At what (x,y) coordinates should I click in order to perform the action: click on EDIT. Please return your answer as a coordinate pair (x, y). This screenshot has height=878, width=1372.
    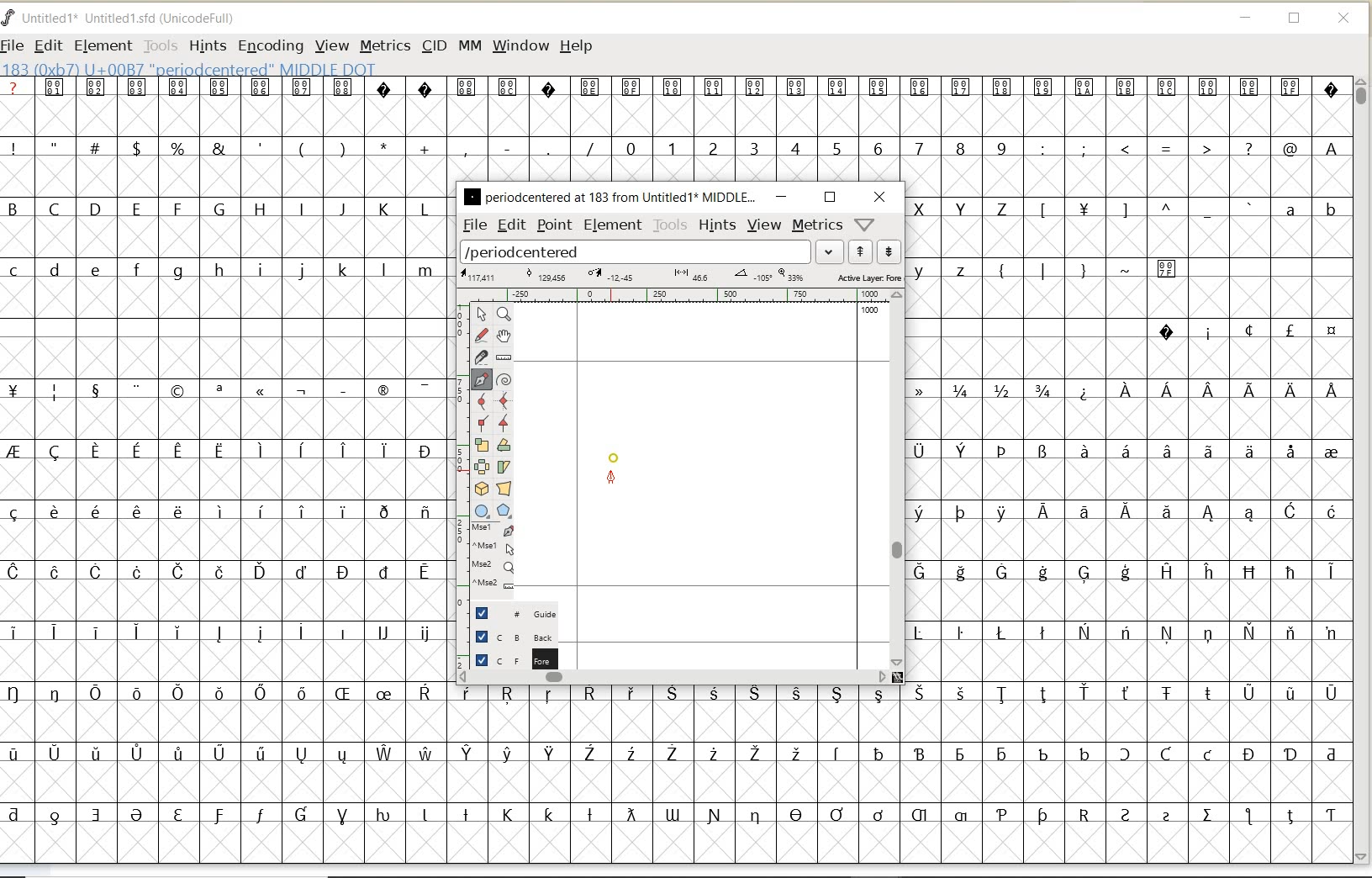
    Looking at the image, I should click on (48, 47).